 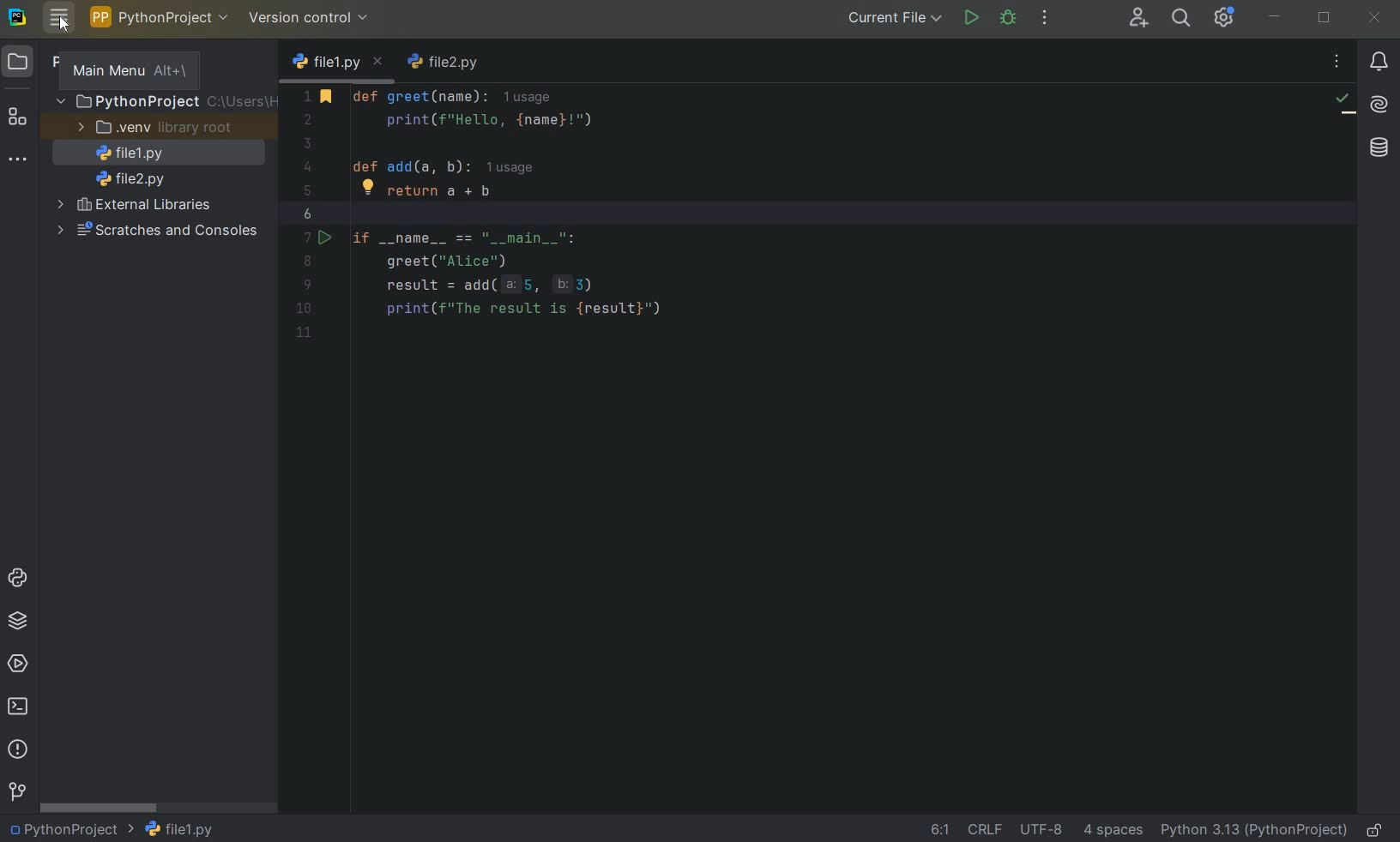 What do you see at coordinates (986, 827) in the screenshot?
I see `line separator` at bounding box center [986, 827].